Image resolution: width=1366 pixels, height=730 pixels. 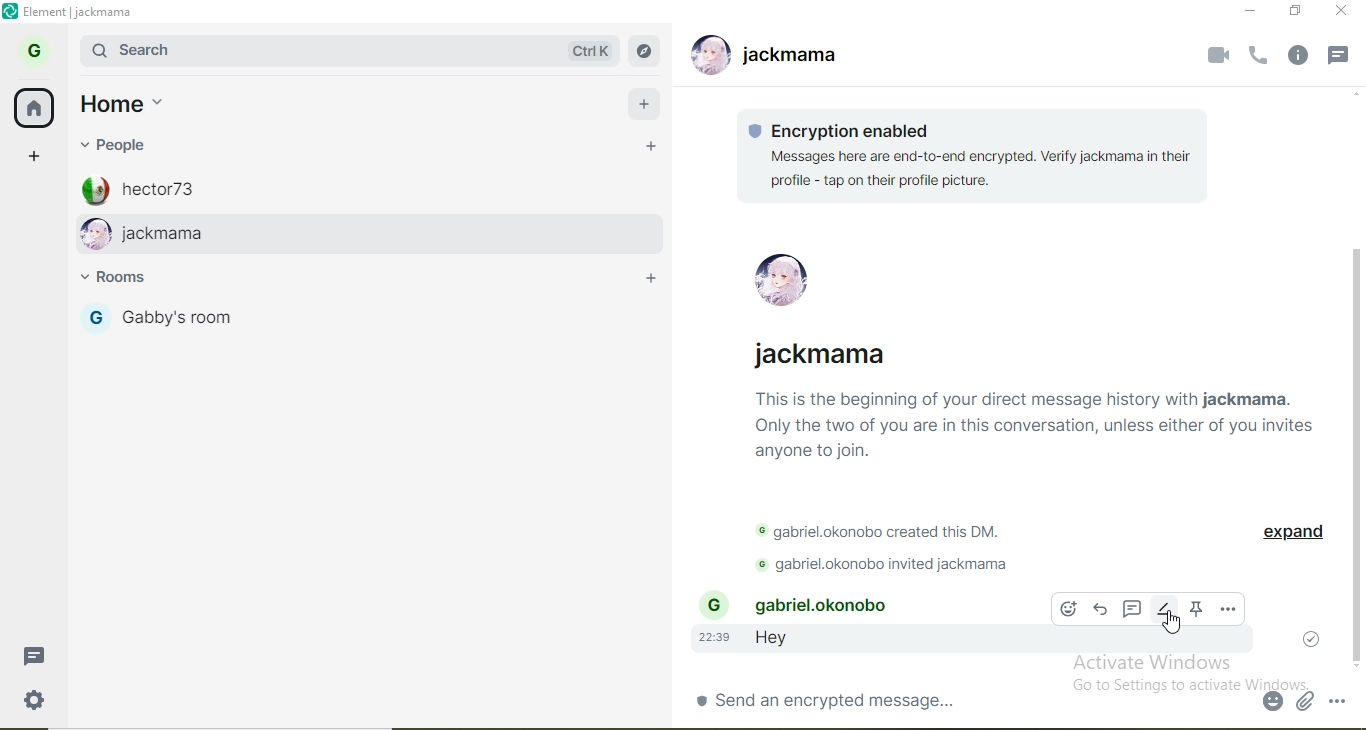 I want to click on text 4, so click(x=898, y=562).